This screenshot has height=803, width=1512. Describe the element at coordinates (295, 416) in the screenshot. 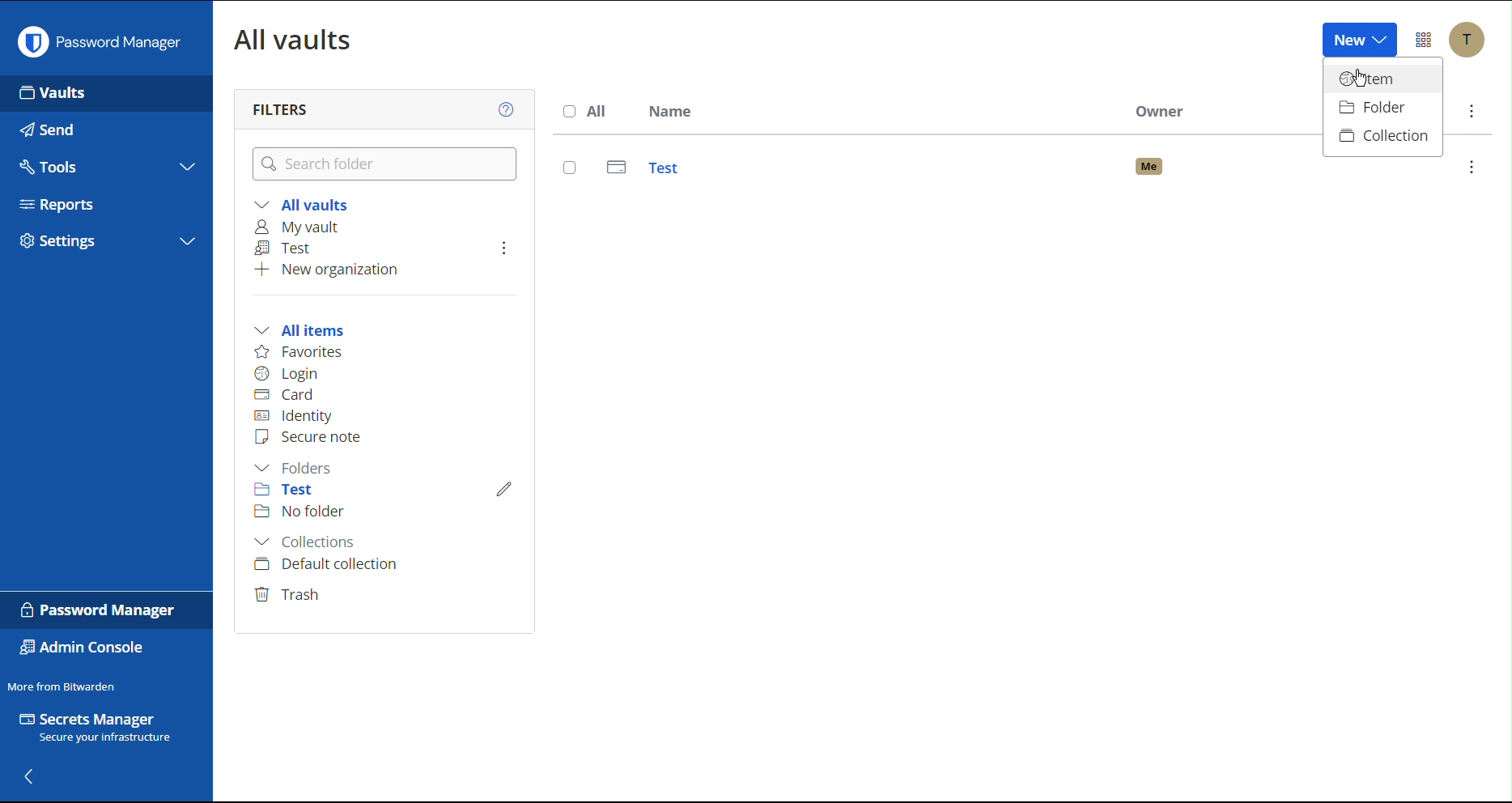

I see `Identity` at that location.